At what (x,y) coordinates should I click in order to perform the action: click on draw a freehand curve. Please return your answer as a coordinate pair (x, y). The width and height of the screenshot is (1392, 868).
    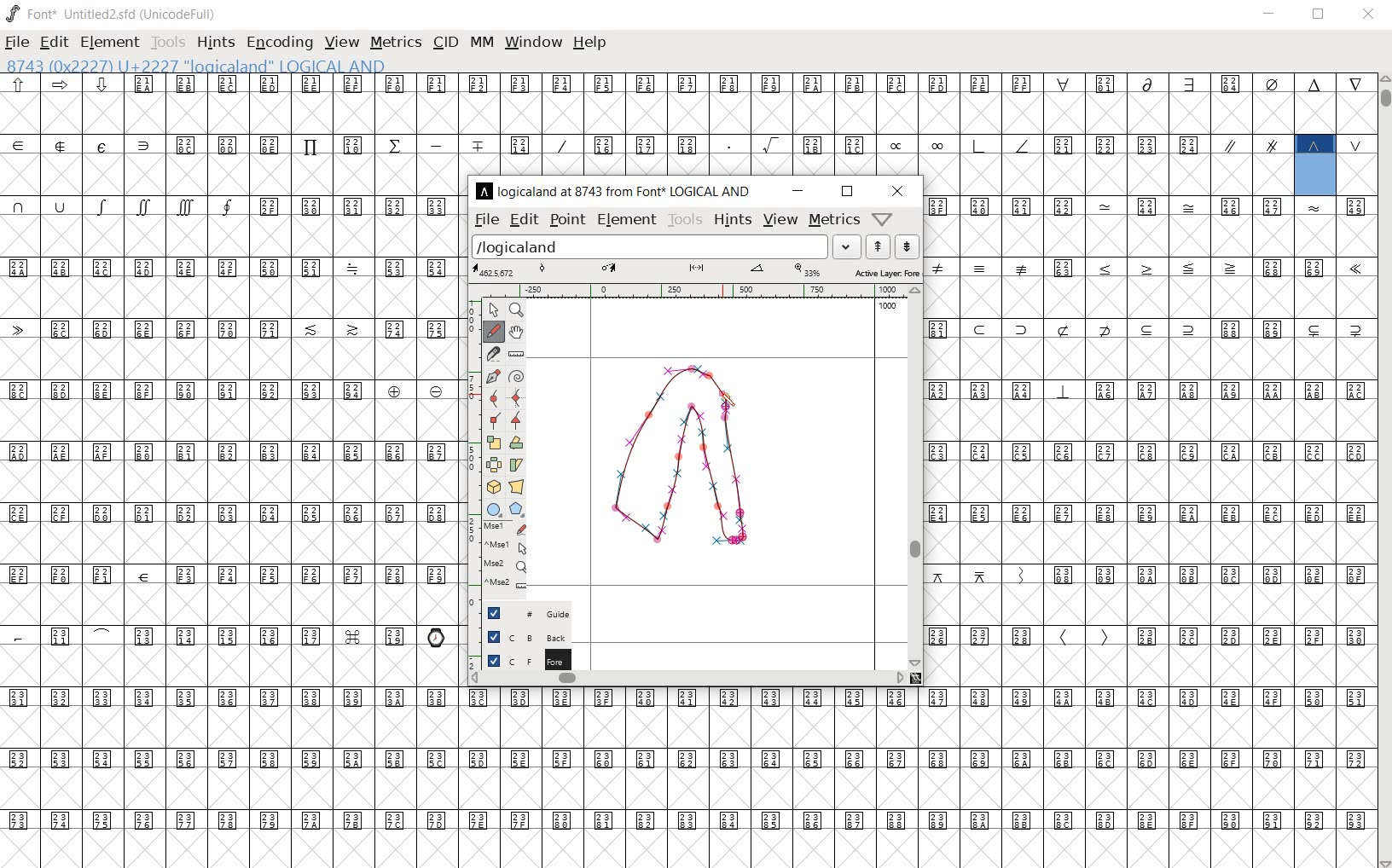
    Looking at the image, I should click on (492, 333).